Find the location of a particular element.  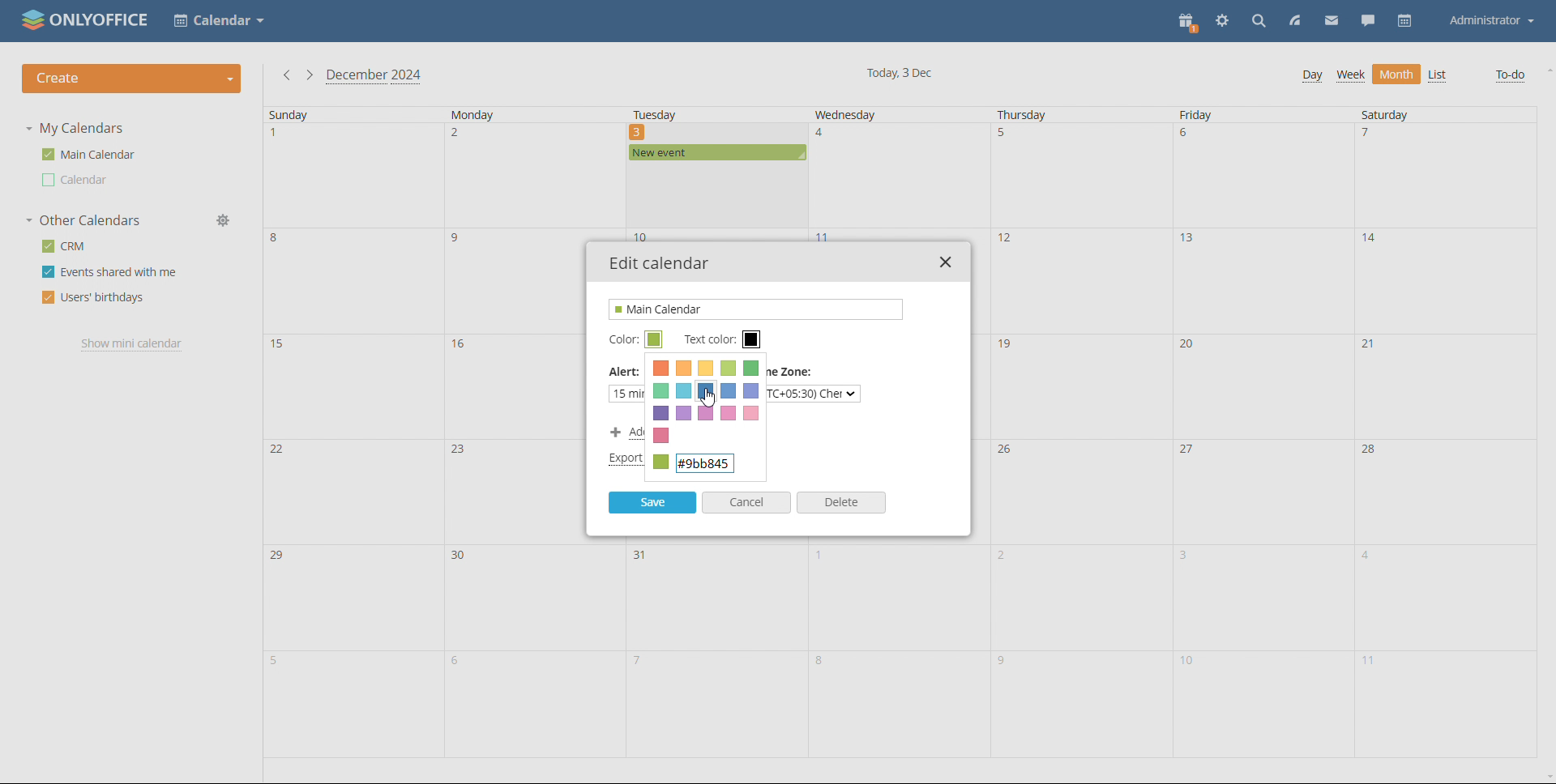

date is located at coordinates (353, 280).